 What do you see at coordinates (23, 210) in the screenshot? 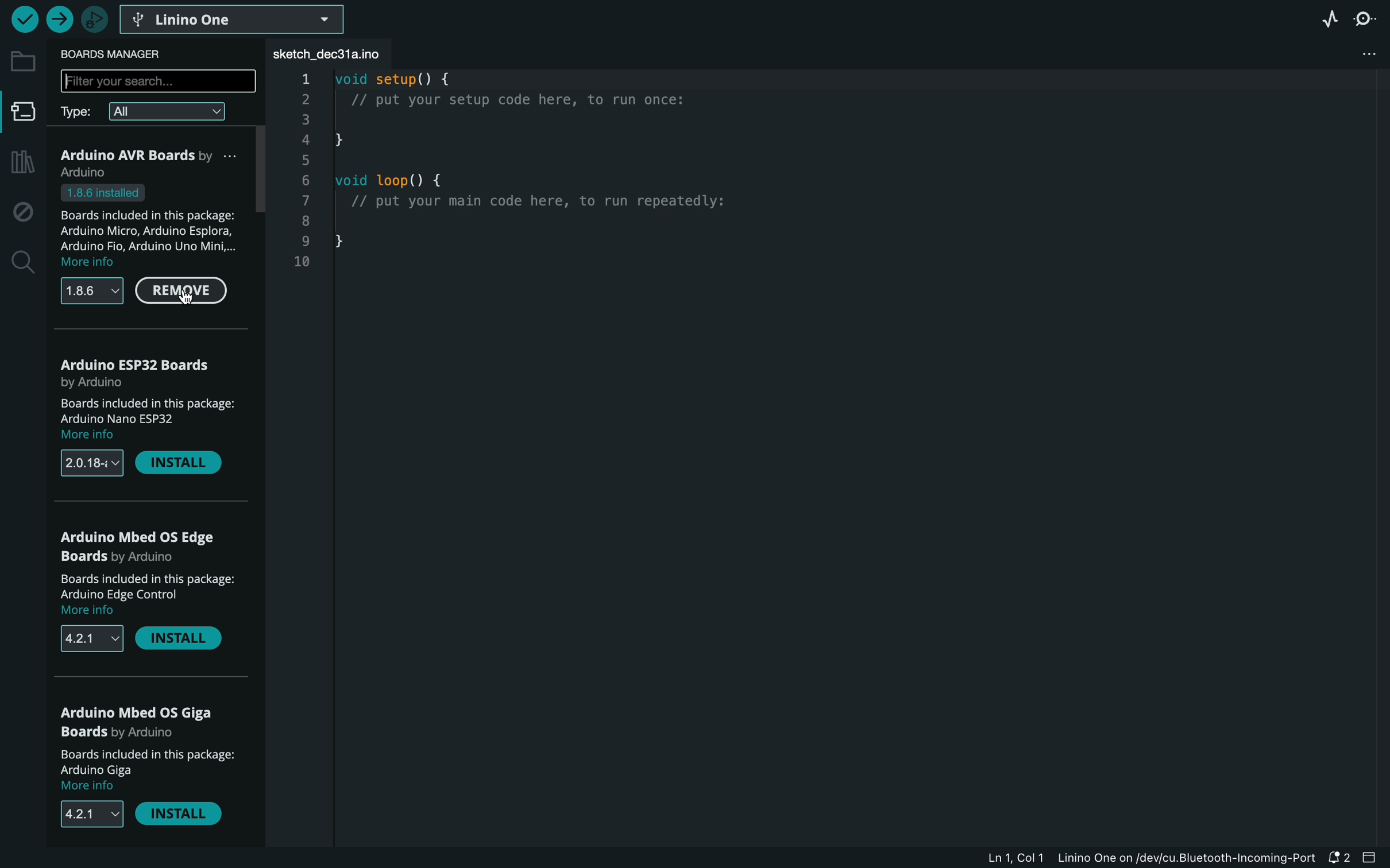
I see `debug` at bounding box center [23, 210].